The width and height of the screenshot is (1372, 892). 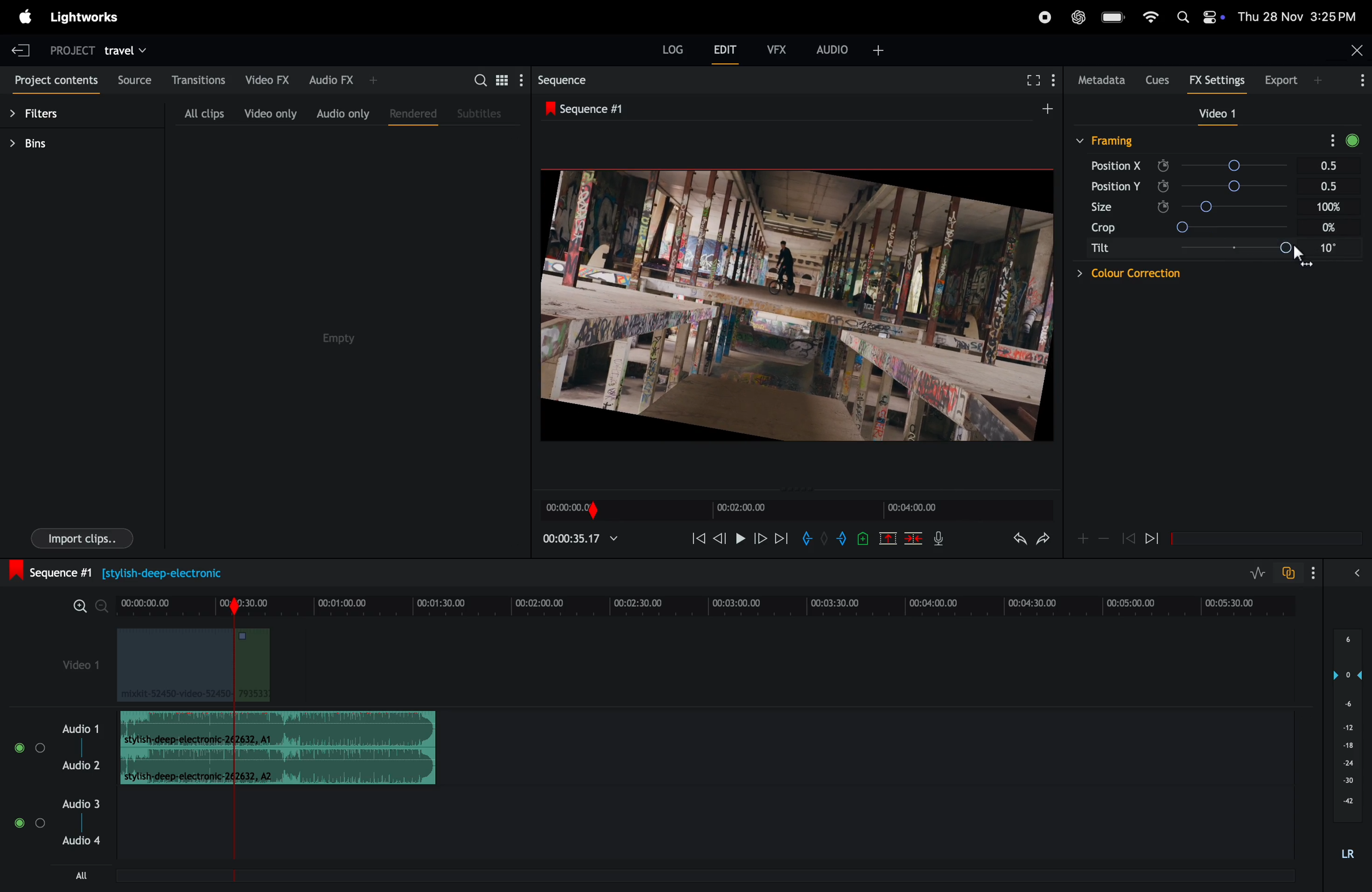 I want to click on video 1, so click(x=1223, y=114).